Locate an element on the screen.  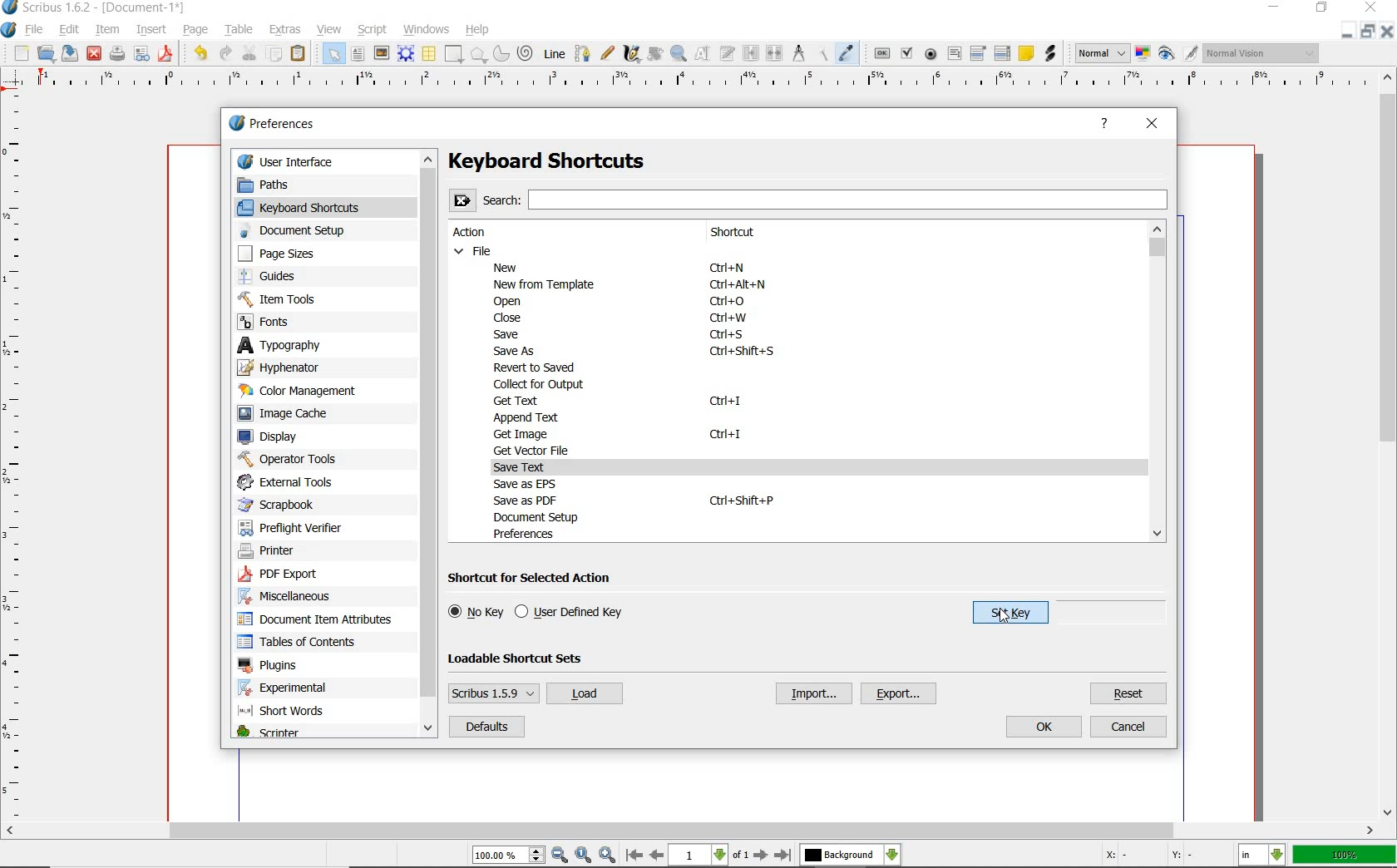
guides is located at coordinates (291, 277).